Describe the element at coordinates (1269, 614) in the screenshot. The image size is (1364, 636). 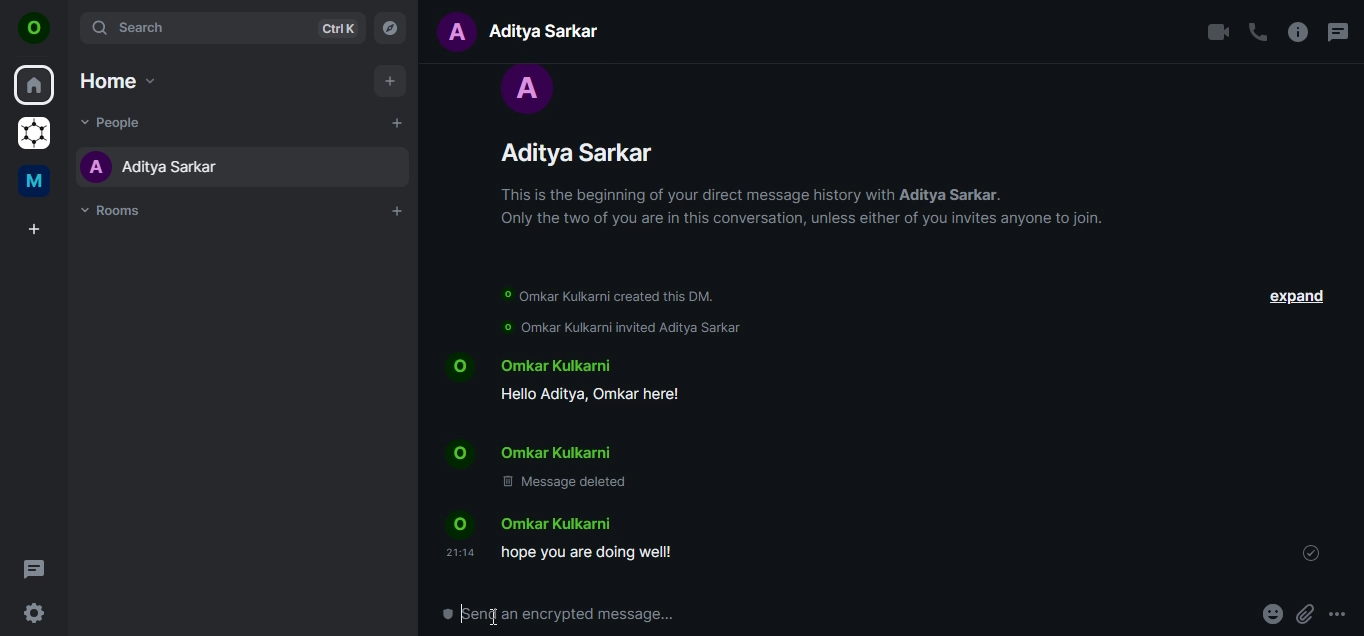
I see `emoji` at that location.